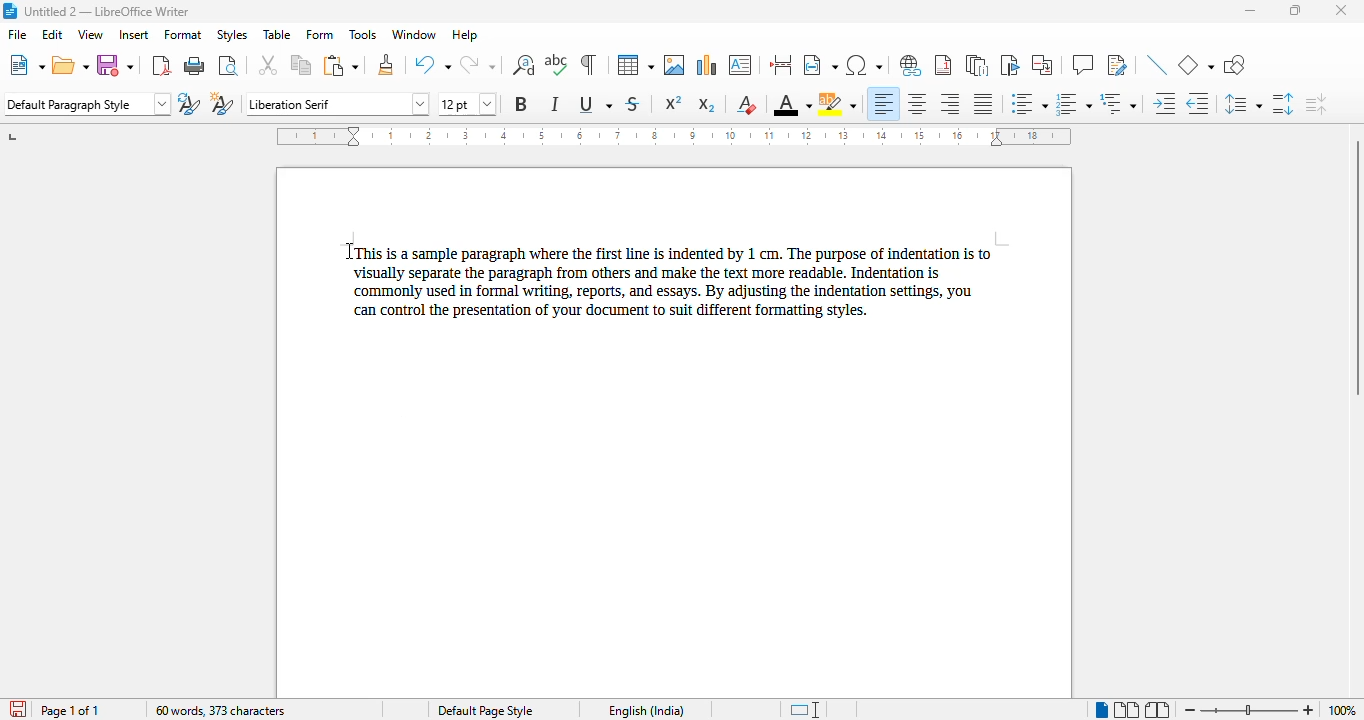 The width and height of the screenshot is (1364, 720). I want to click on insert bookmark, so click(1011, 65).